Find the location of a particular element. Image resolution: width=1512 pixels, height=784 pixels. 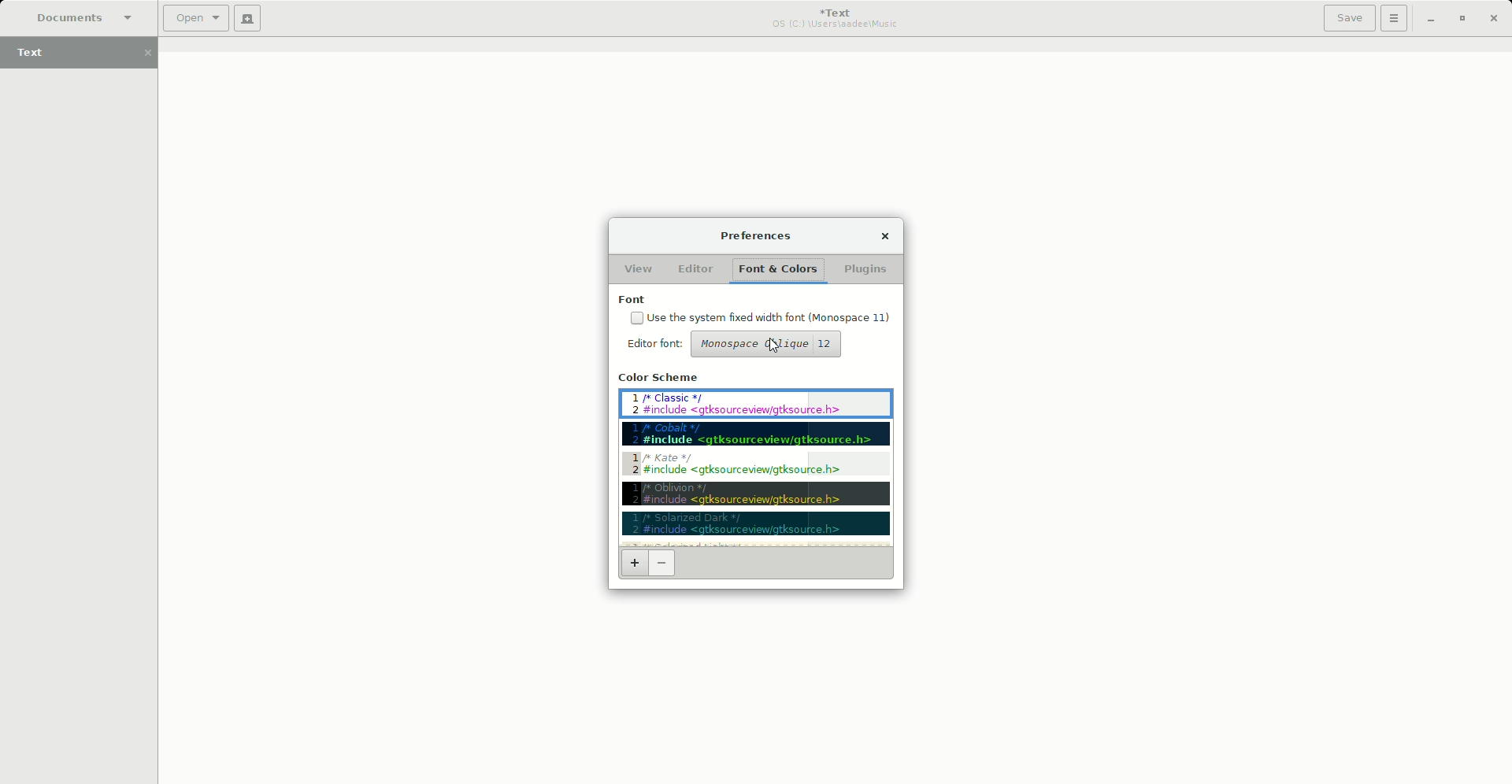

Restore is located at coordinates (1461, 18).